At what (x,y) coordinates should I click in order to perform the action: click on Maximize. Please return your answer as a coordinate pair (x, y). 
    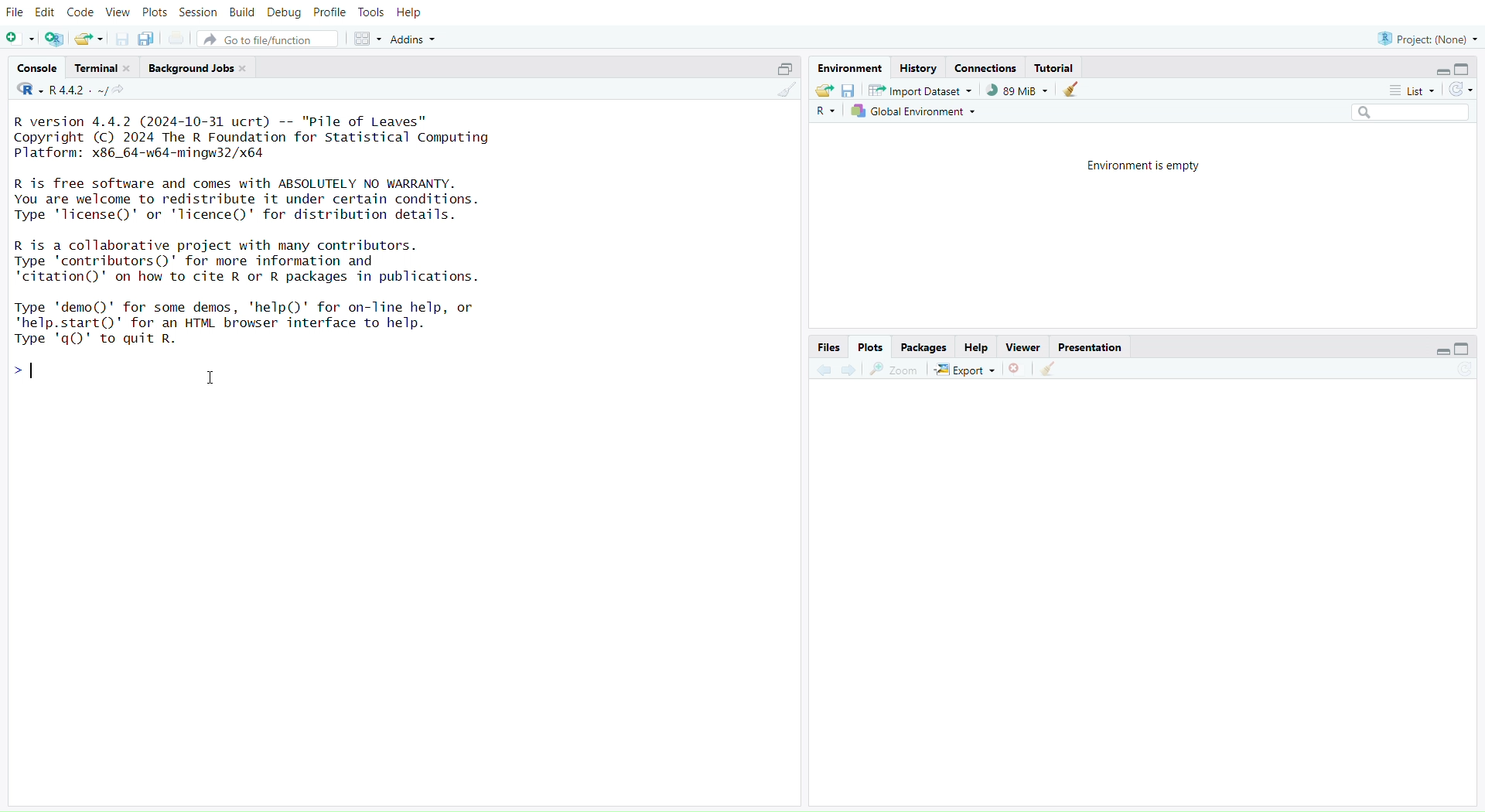
    Looking at the image, I should click on (1466, 70).